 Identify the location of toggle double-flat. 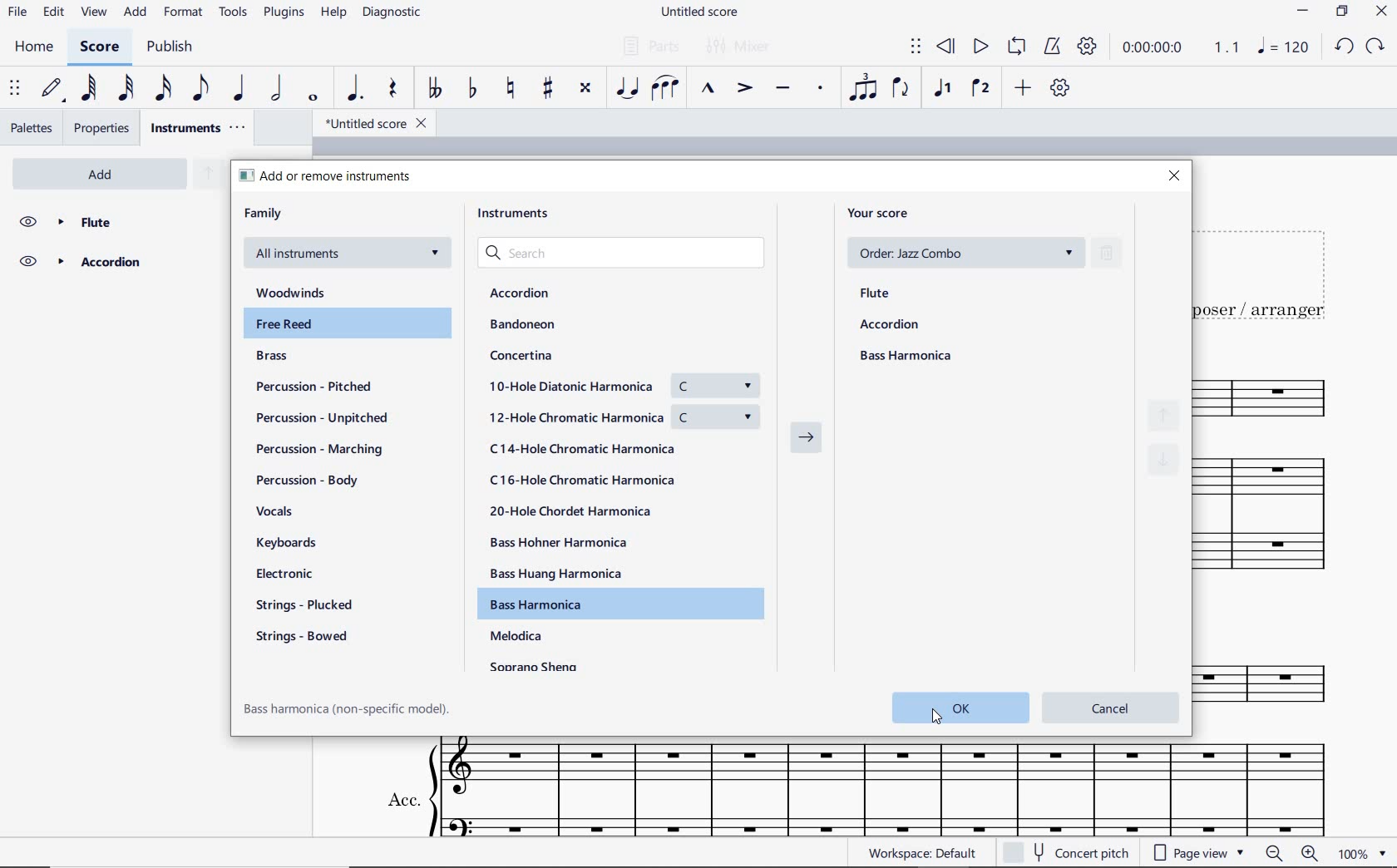
(433, 89).